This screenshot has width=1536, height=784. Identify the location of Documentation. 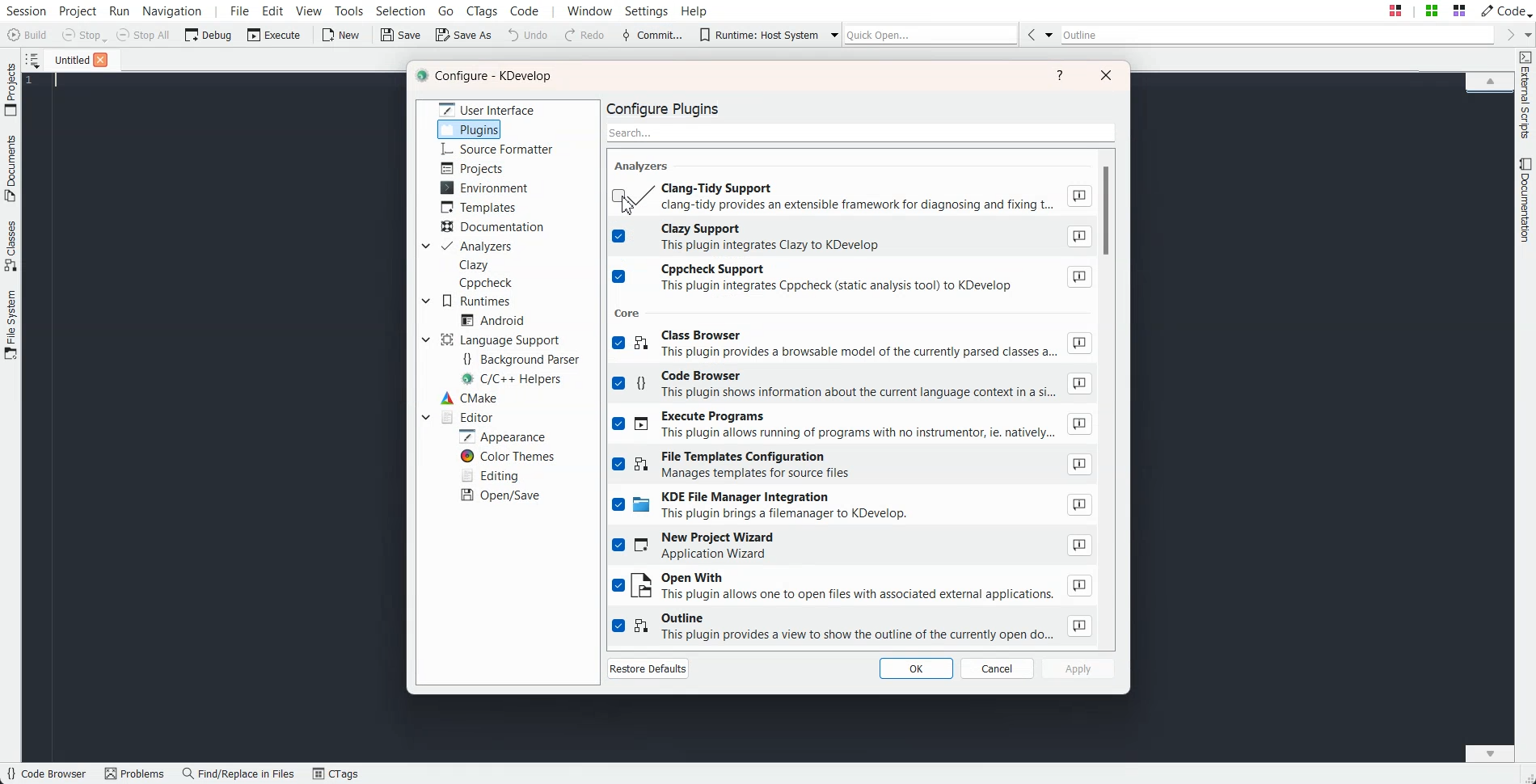
(495, 227).